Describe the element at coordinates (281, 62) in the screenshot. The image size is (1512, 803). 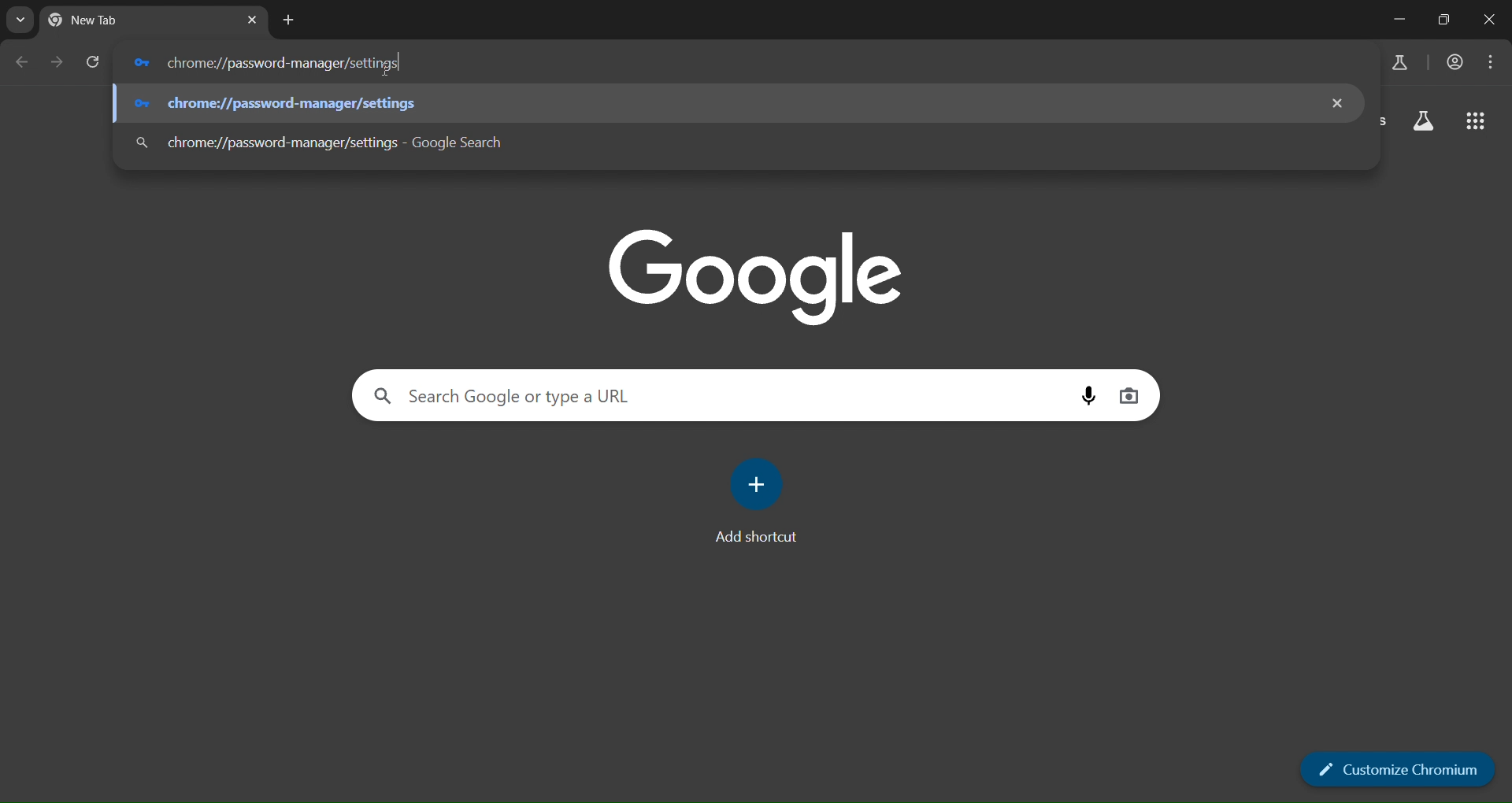
I see `chrome://password-manager/settings - Google Search` at that location.